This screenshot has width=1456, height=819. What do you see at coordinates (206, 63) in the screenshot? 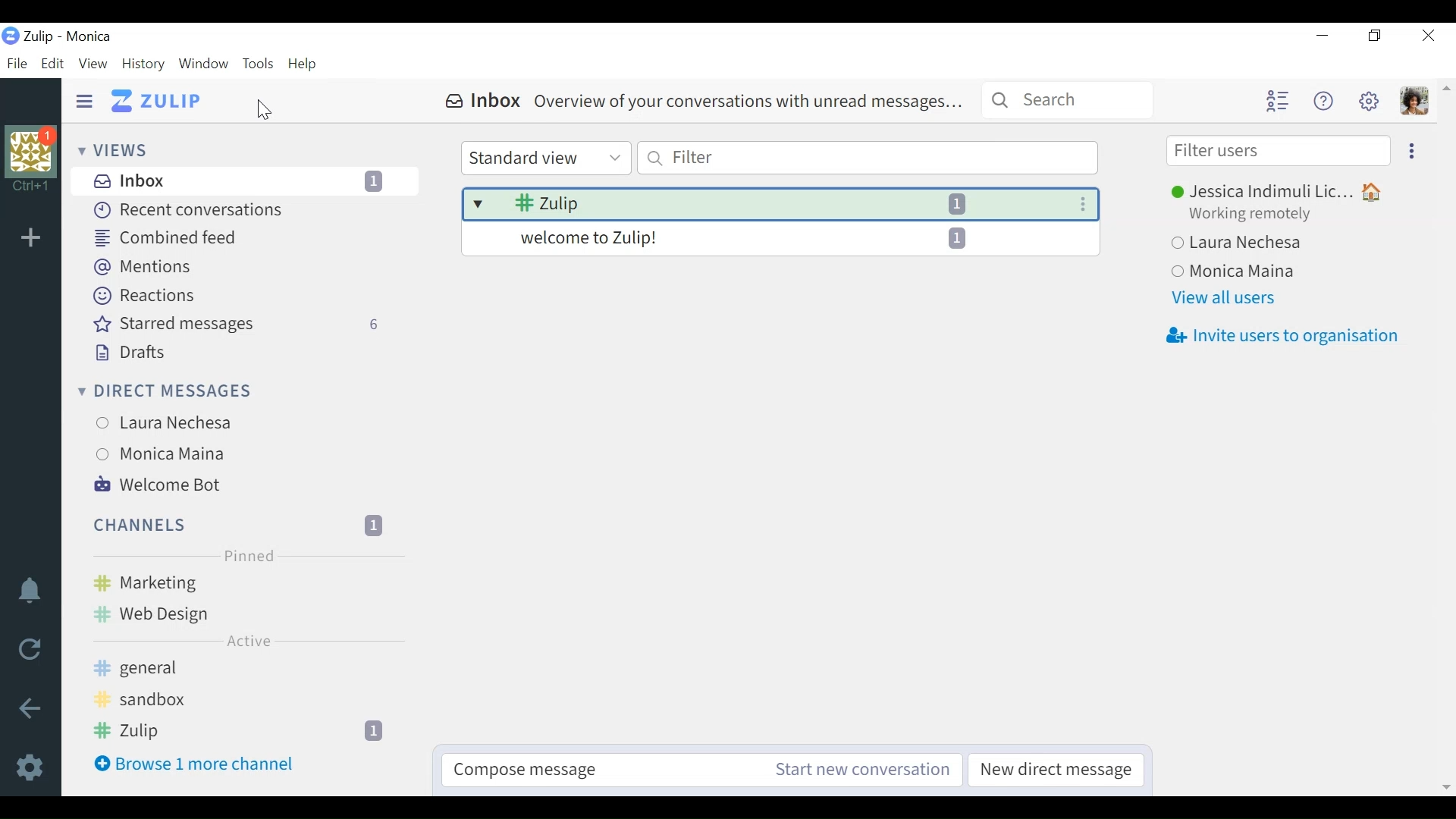
I see `Window` at bounding box center [206, 63].